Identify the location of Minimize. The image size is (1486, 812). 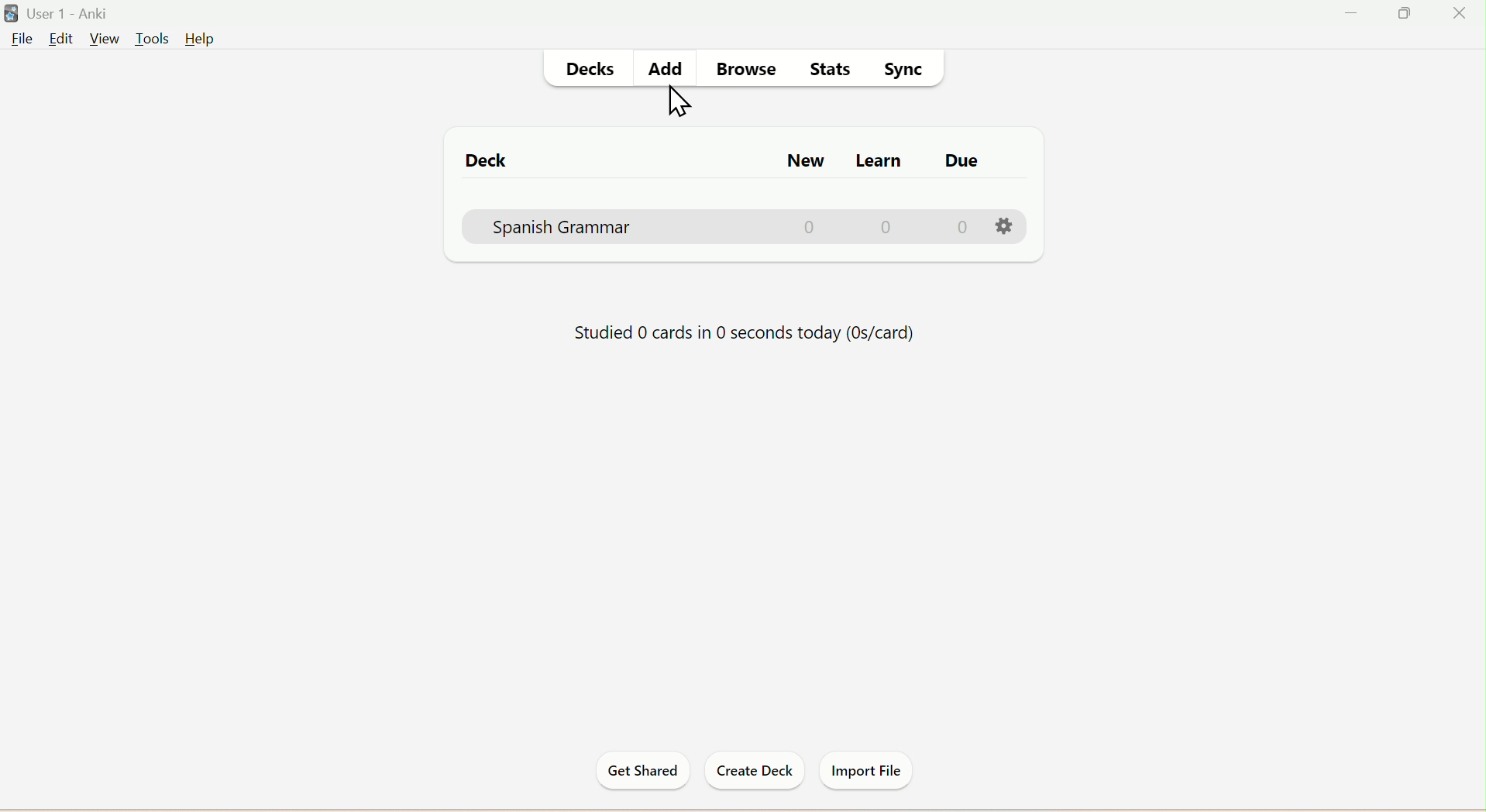
(1354, 13).